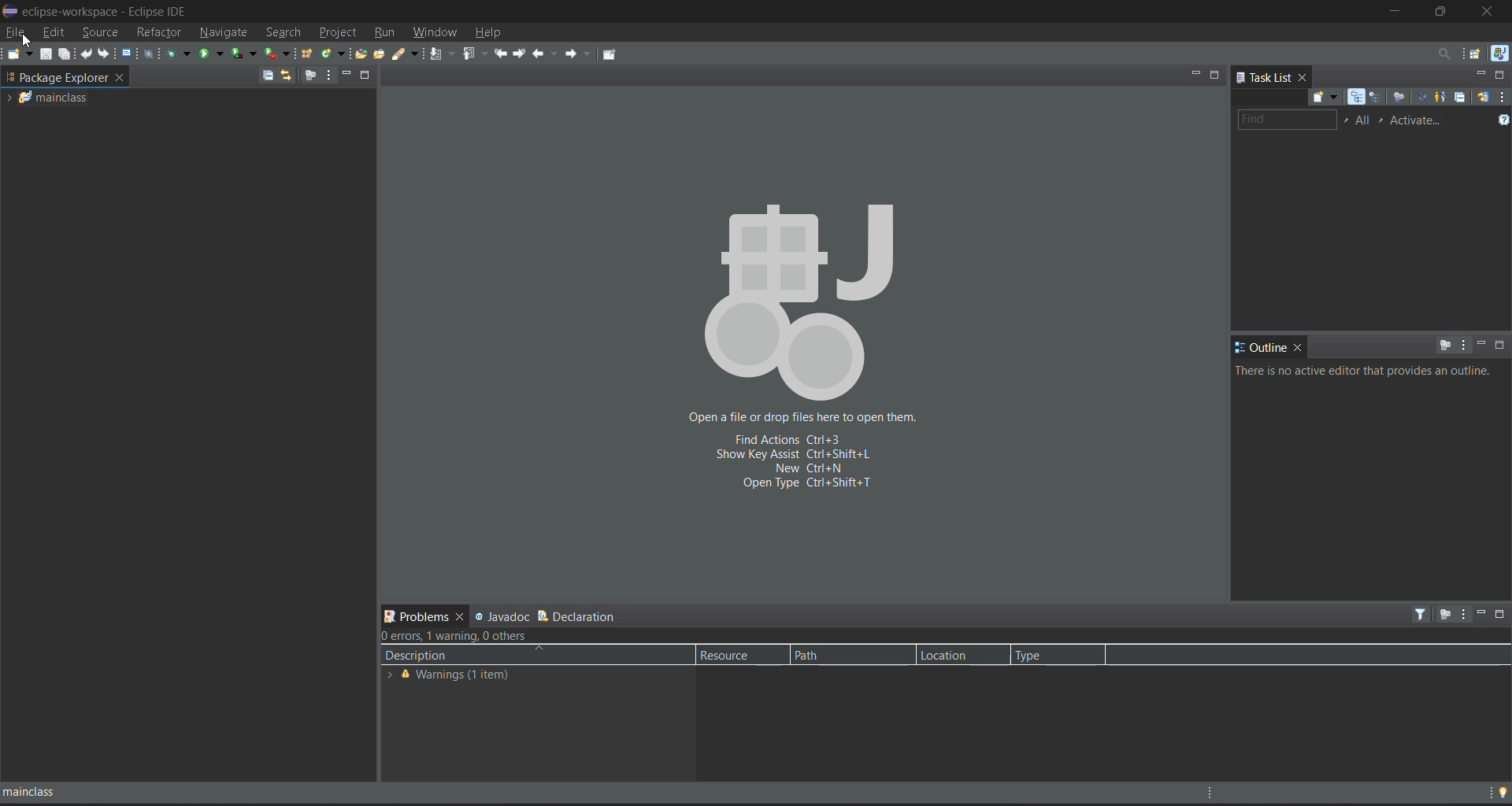 The image size is (1512, 806). I want to click on file, so click(16, 31).